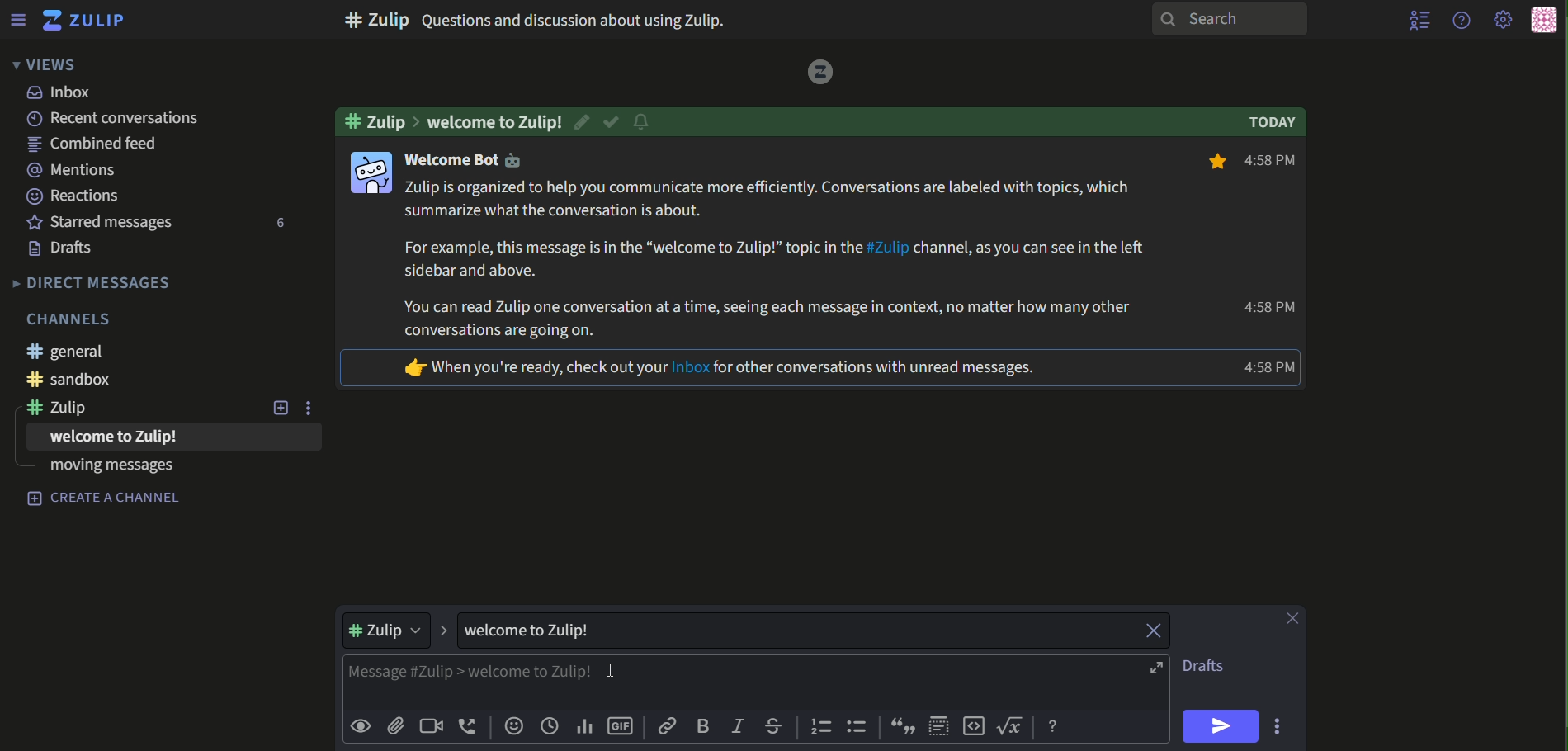  I want to click on text, so click(93, 282).